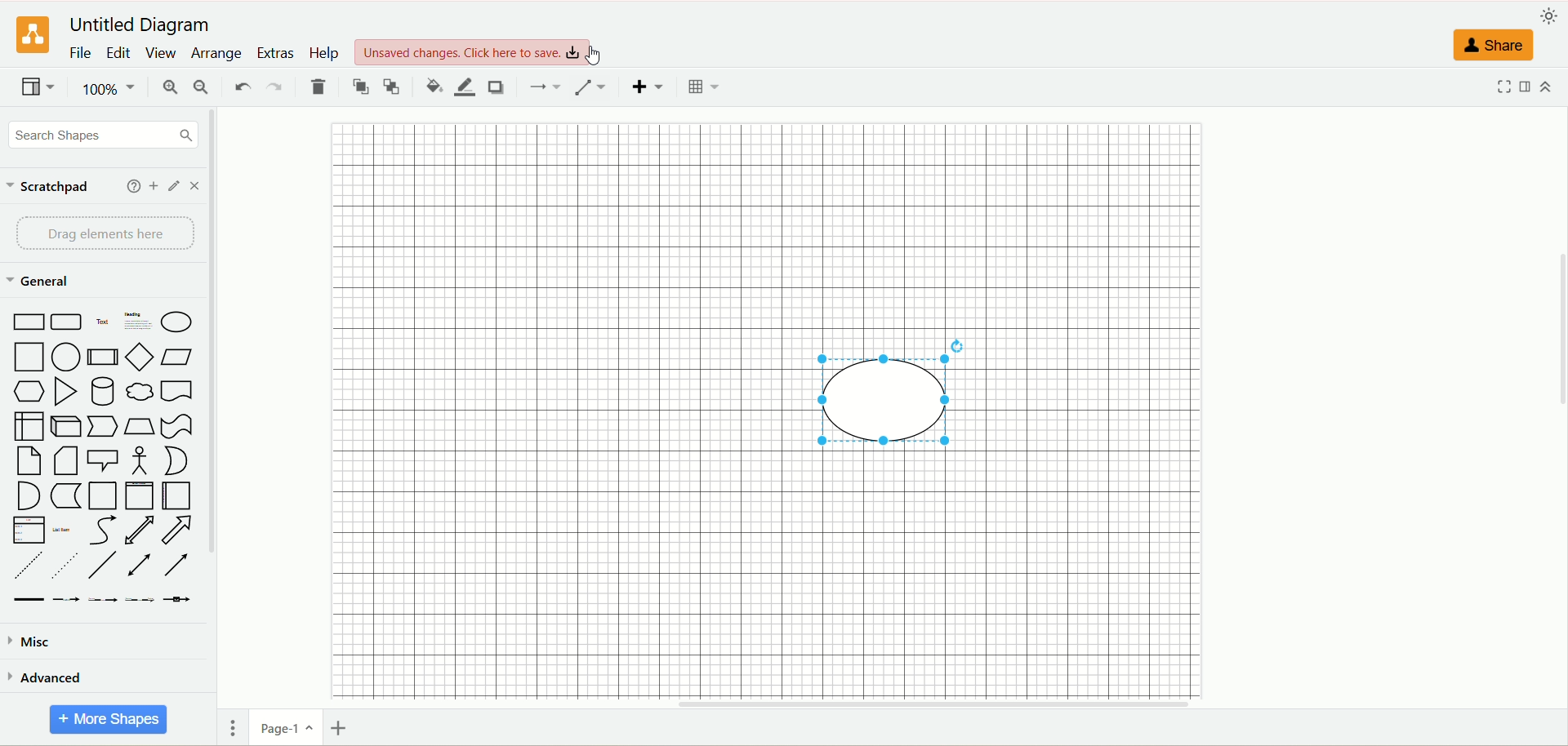 This screenshot has width=1568, height=746. I want to click on dashed line, so click(26, 565).